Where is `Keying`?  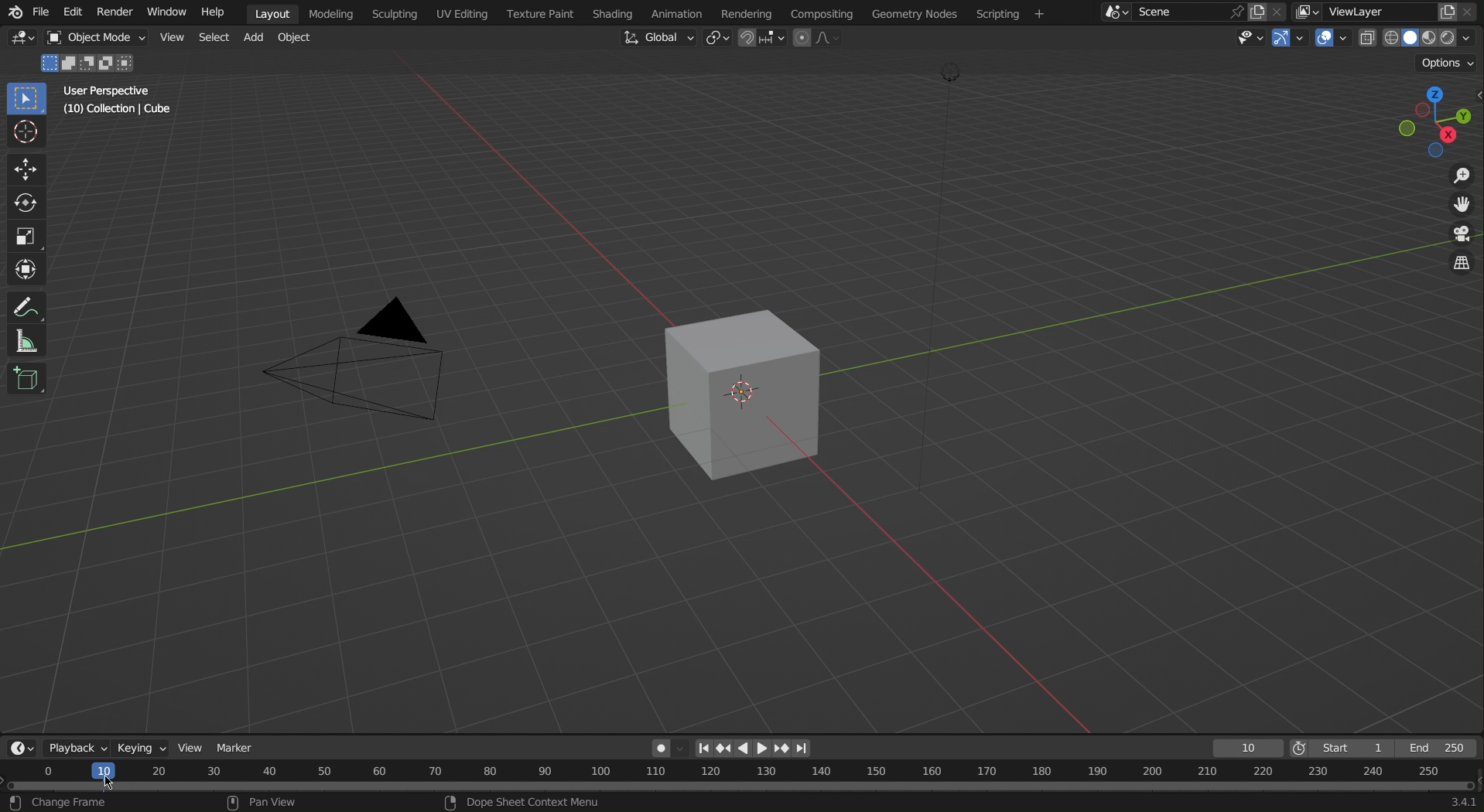
Keying is located at coordinates (144, 747).